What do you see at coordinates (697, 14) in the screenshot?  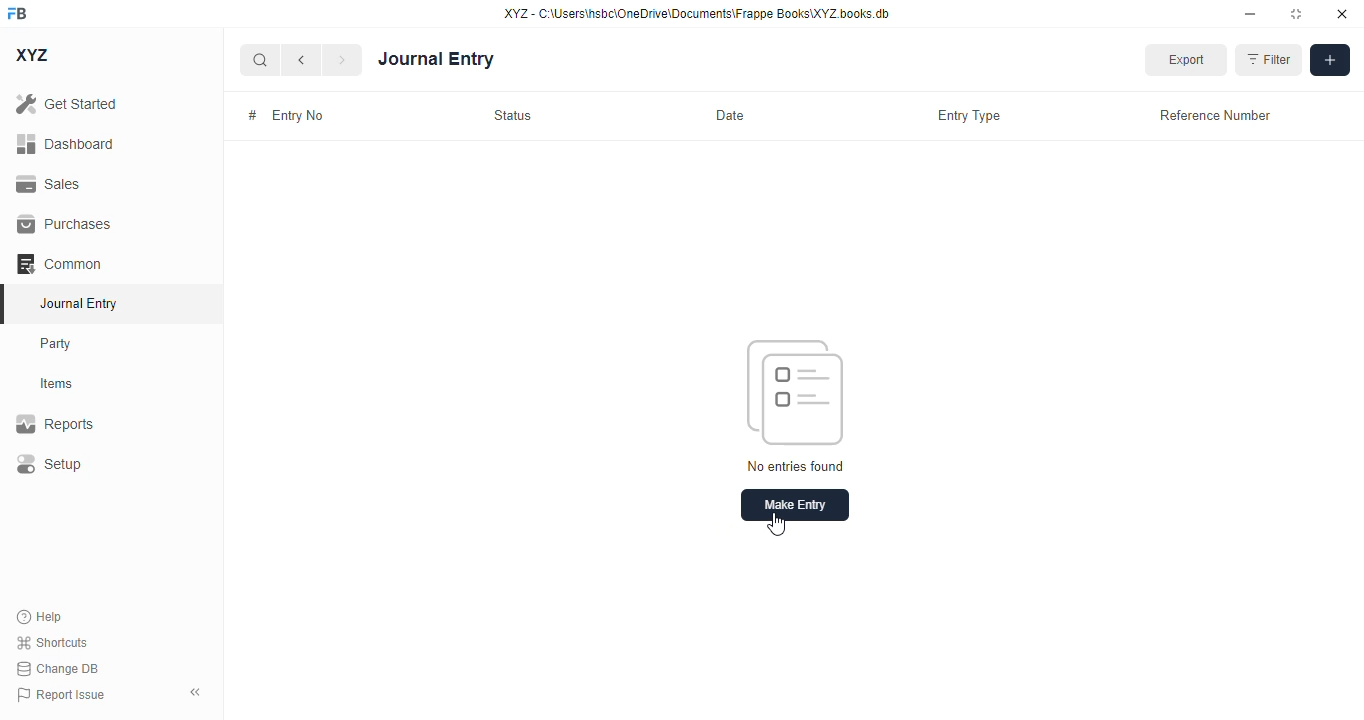 I see `XYZ - C:\Users\hsbc\OneDrive\Documents\Frappe Books\XYZ books. db` at bounding box center [697, 14].